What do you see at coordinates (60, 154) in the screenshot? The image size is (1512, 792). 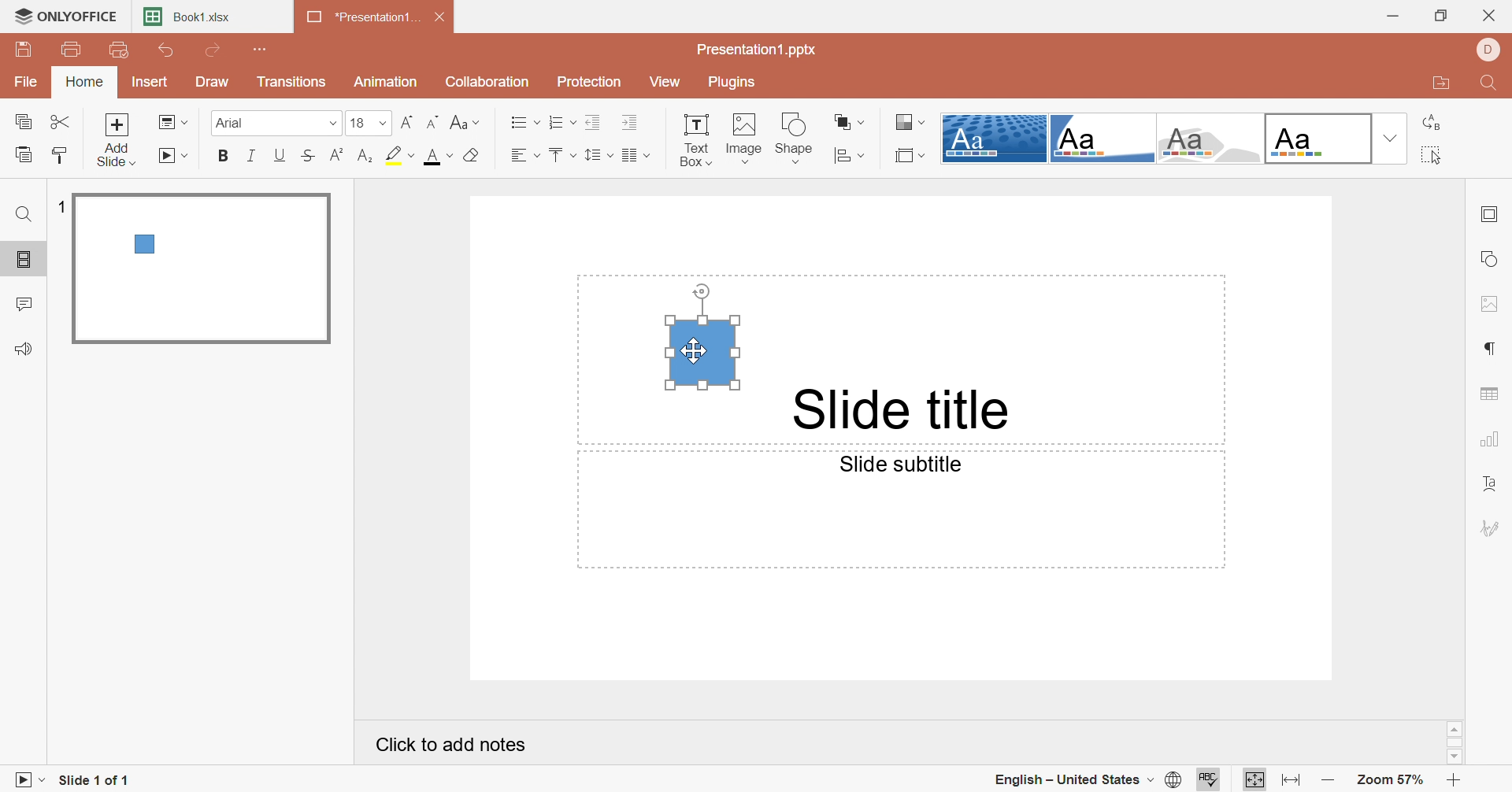 I see `Copy Style` at bounding box center [60, 154].